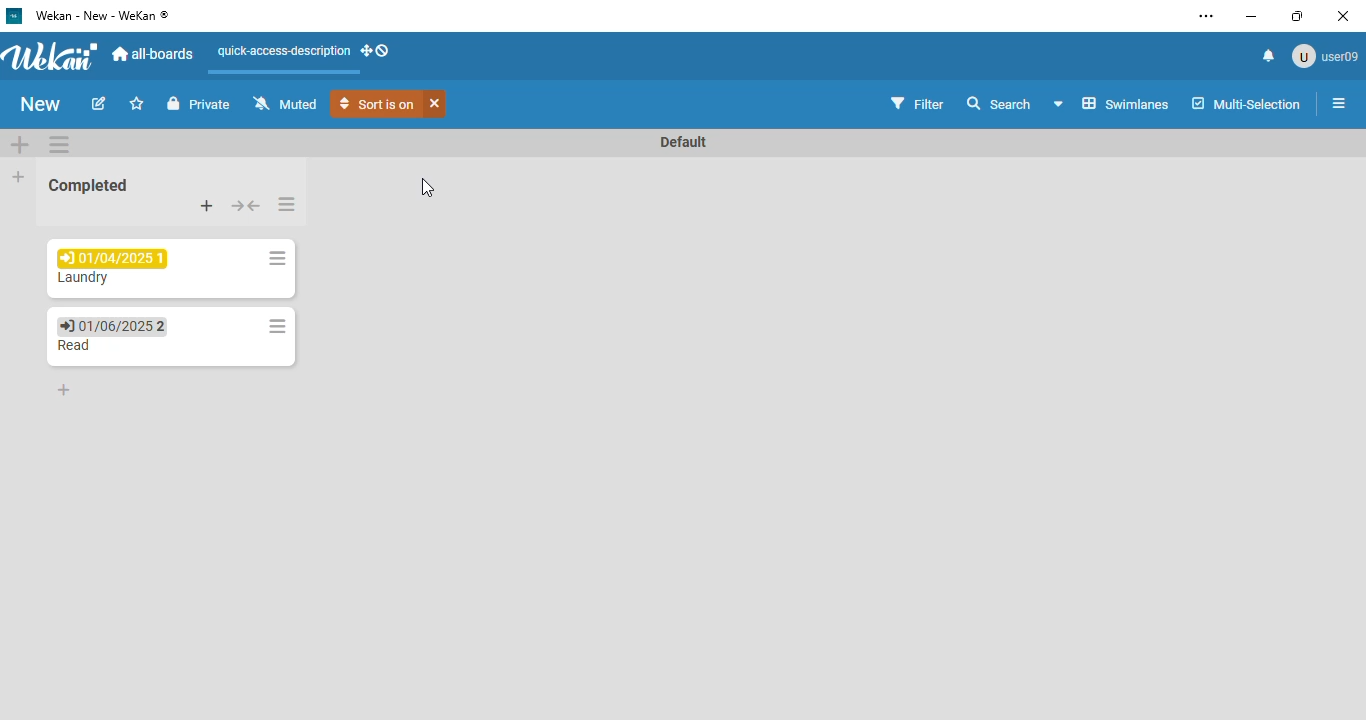 This screenshot has height=720, width=1366. What do you see at coordinates (65, 390) in the screenshot?
I see `add card to bottom of list` at bounding box center [65, 390].